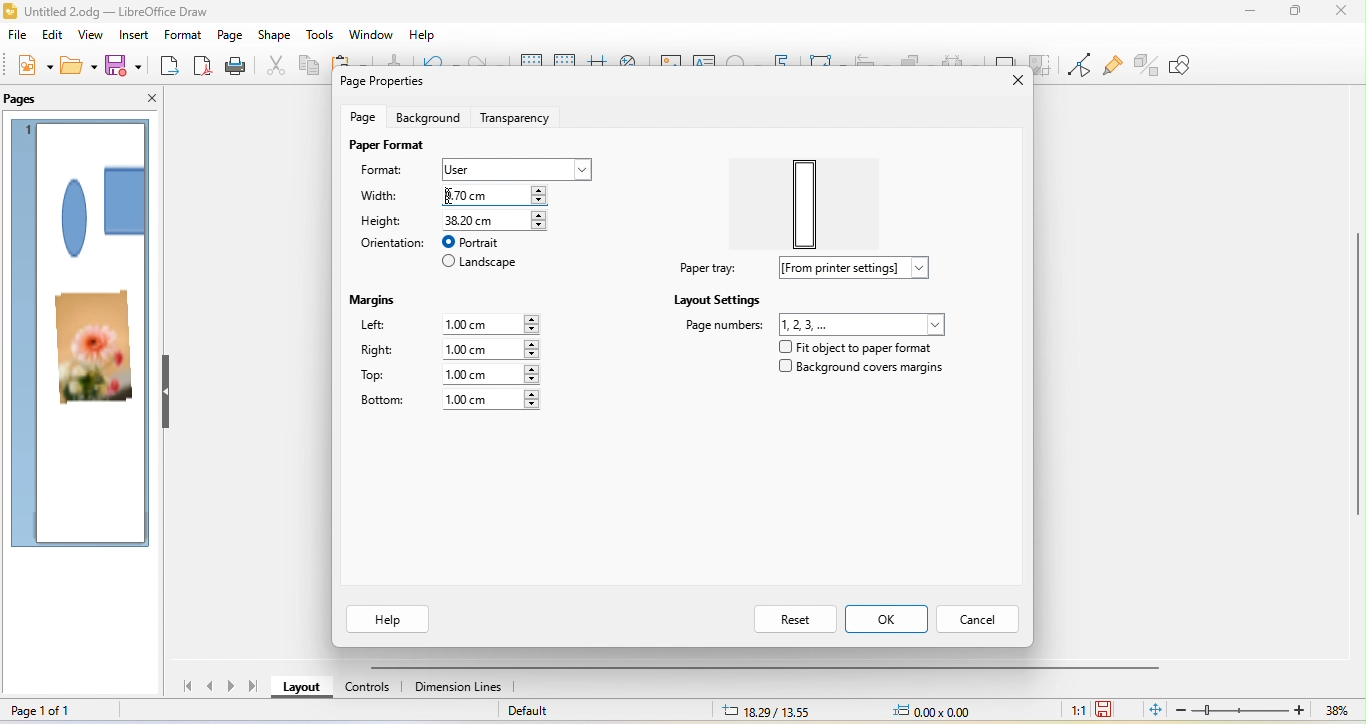 The width and height of the screenshot is (1366, 724). Describe the element at coordinates (119, 11) in the screenshot. I see `Untitled 2.odg - LibreOffice Draw` at that location.